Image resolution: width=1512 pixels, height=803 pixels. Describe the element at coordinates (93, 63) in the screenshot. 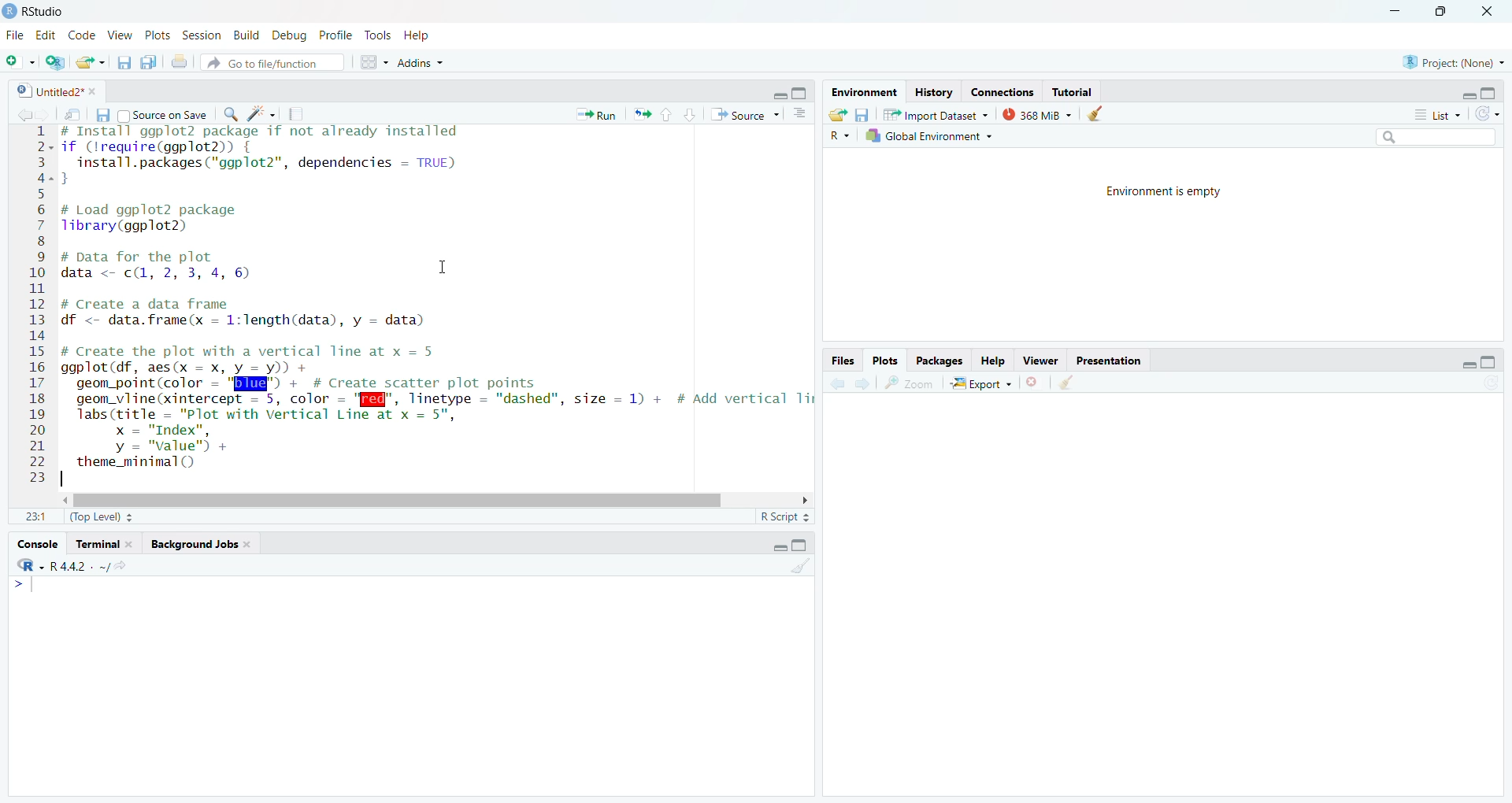

I see `export` at that location.